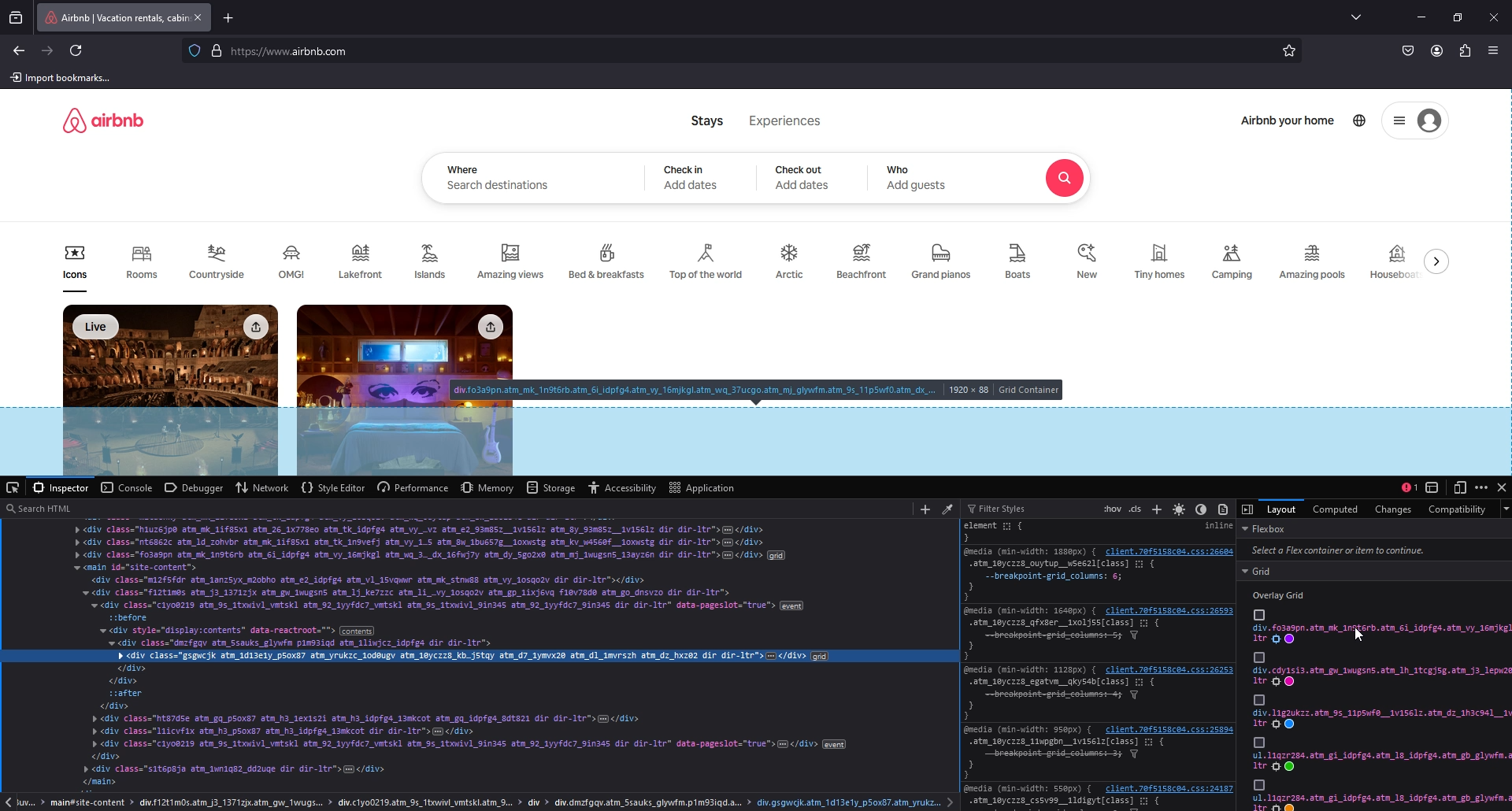 This screenshot has width=1512, height=811. Describe the element at coordinates (513, 262) in the screenshot. I see `Amazing views` at that location.